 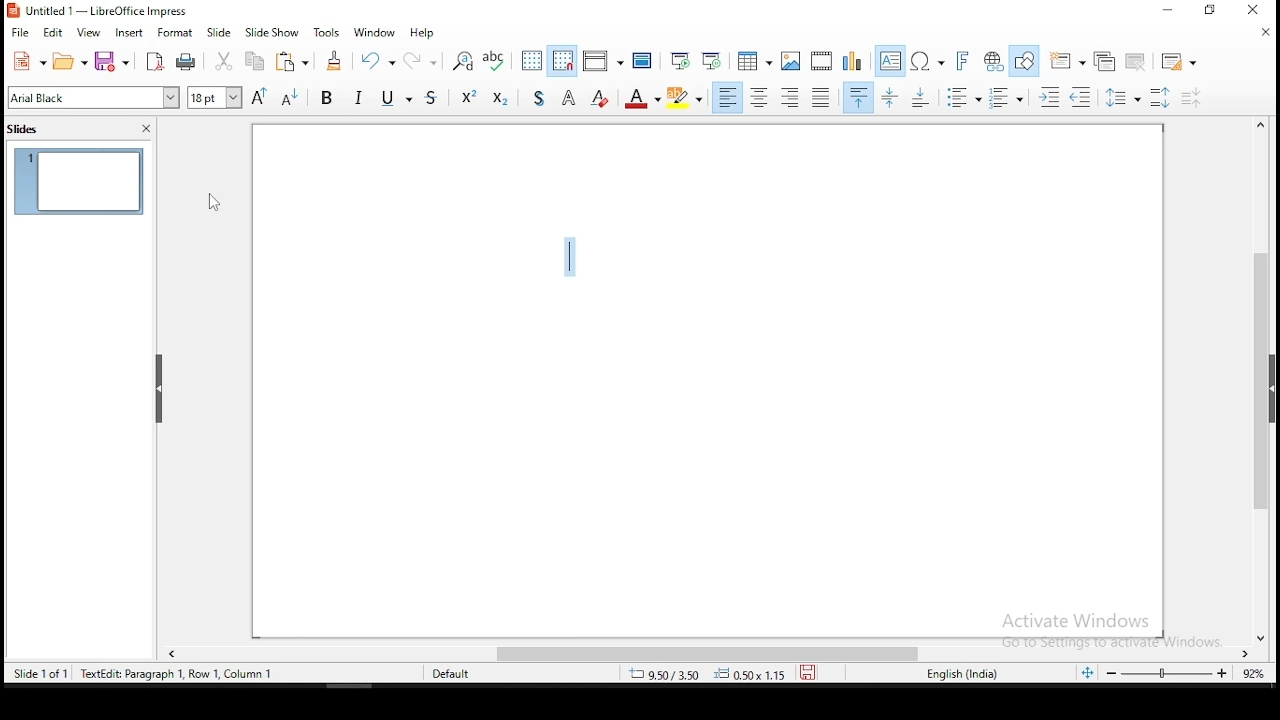 What do you see at coordinates (115, 62) in the screenshot?
I see `save` at bounding box center [115, 62].